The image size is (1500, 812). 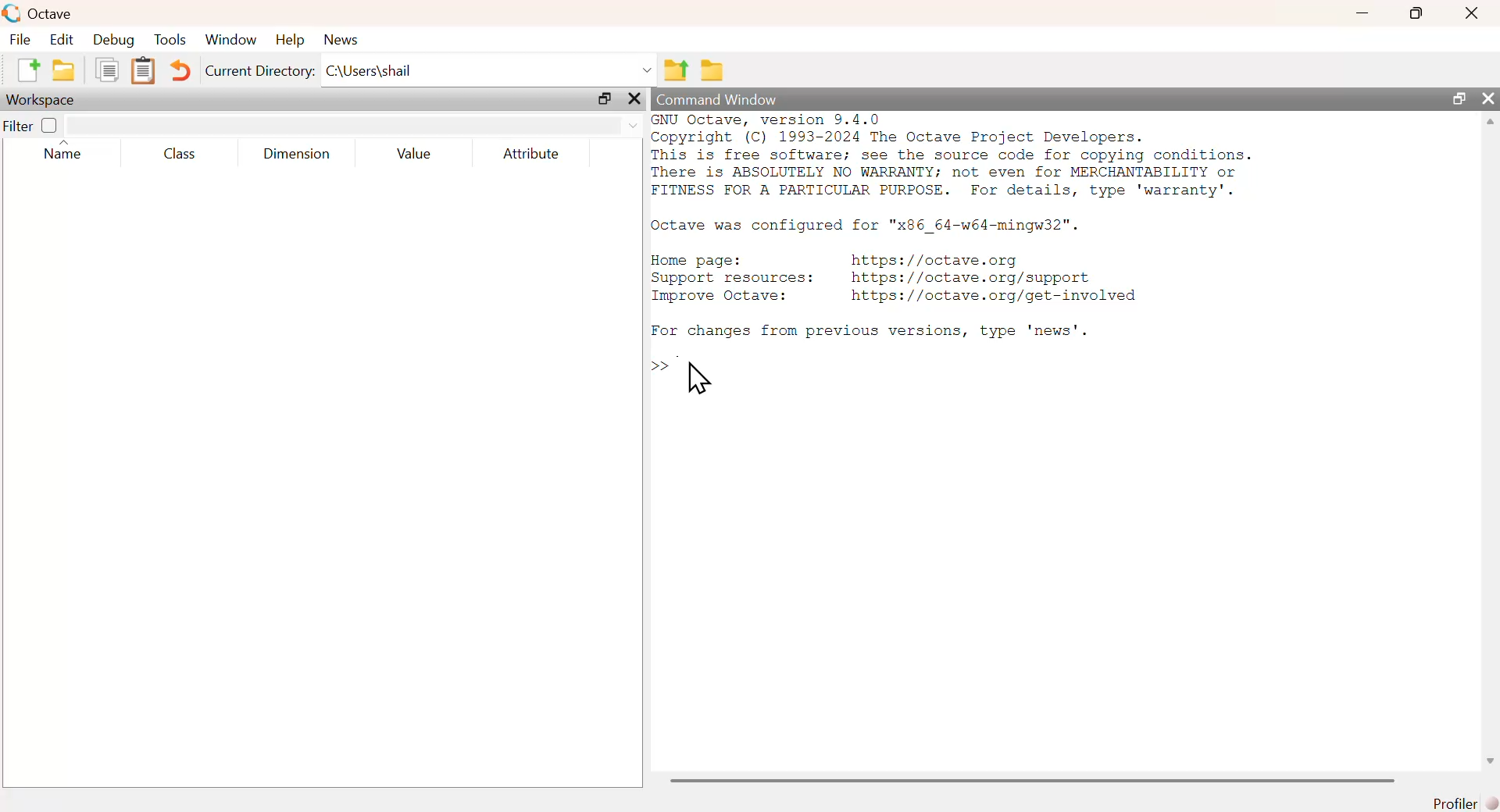 What do you see at coordinates (261, 72) in the screenshot?
I see `current directory` at bounding box center [261, 72].